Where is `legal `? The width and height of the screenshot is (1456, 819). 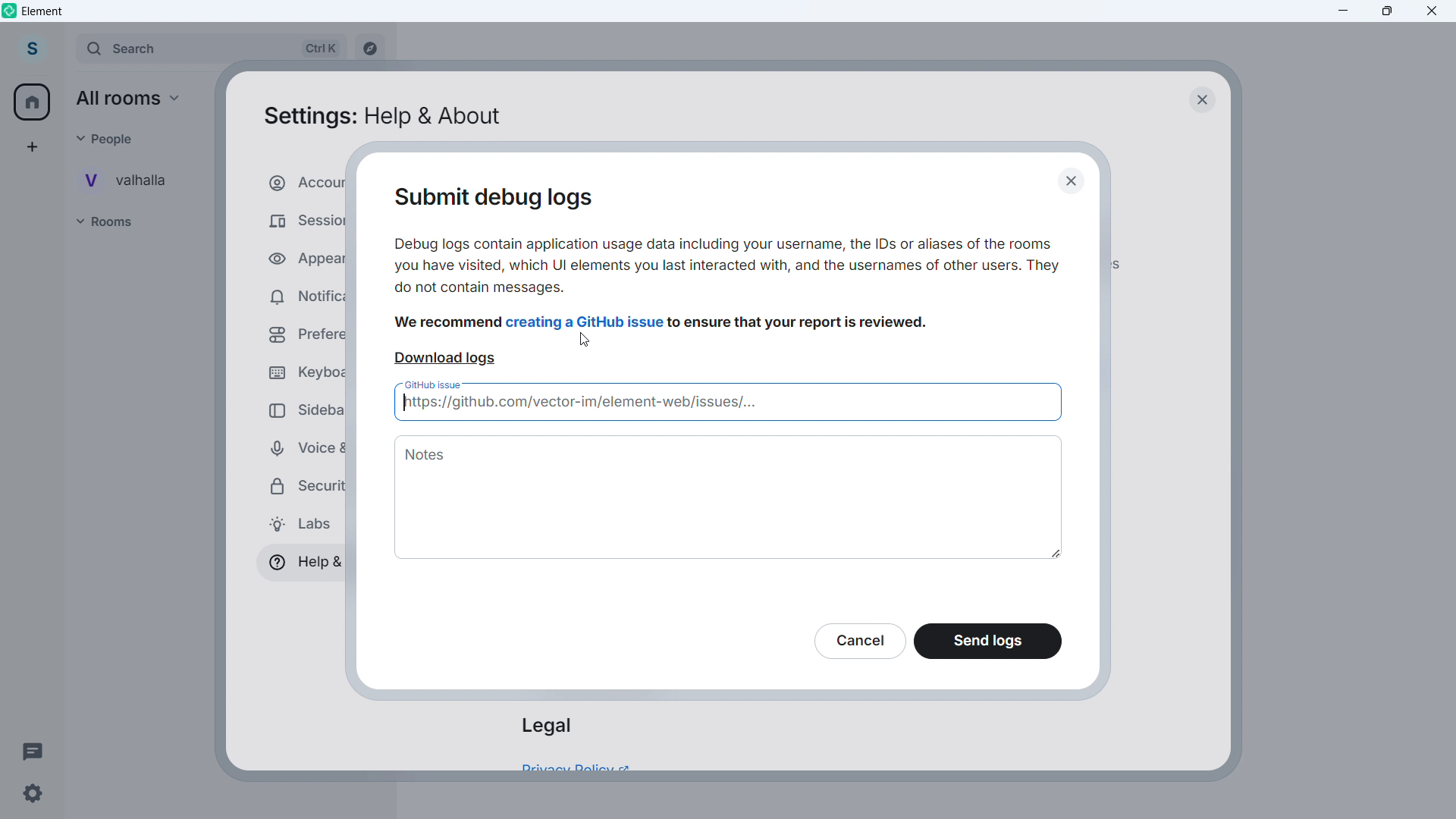
legal  is located at coordinates (546, 726).